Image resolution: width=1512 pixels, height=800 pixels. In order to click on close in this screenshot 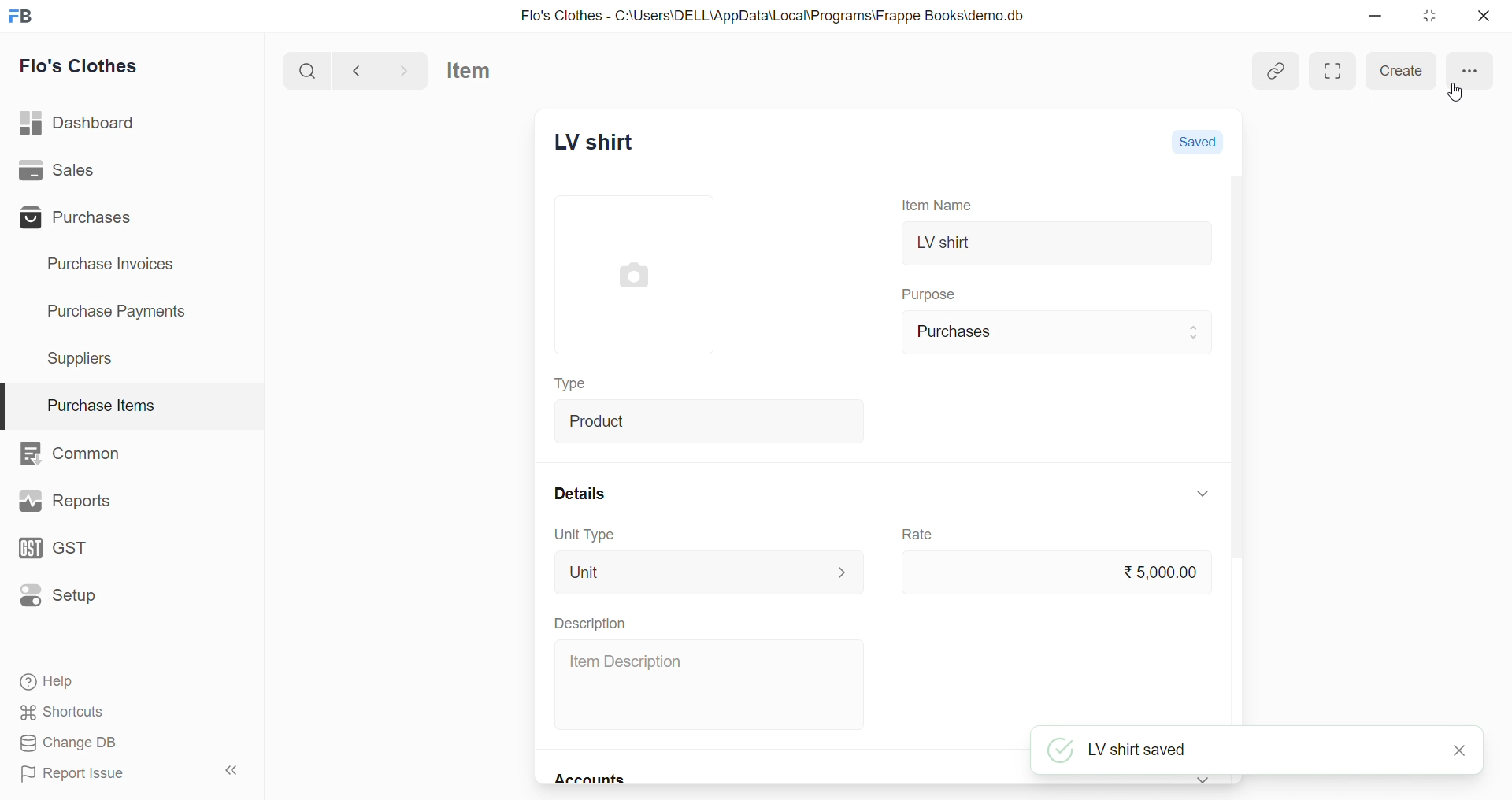, I will do `click(1478, 16)`.